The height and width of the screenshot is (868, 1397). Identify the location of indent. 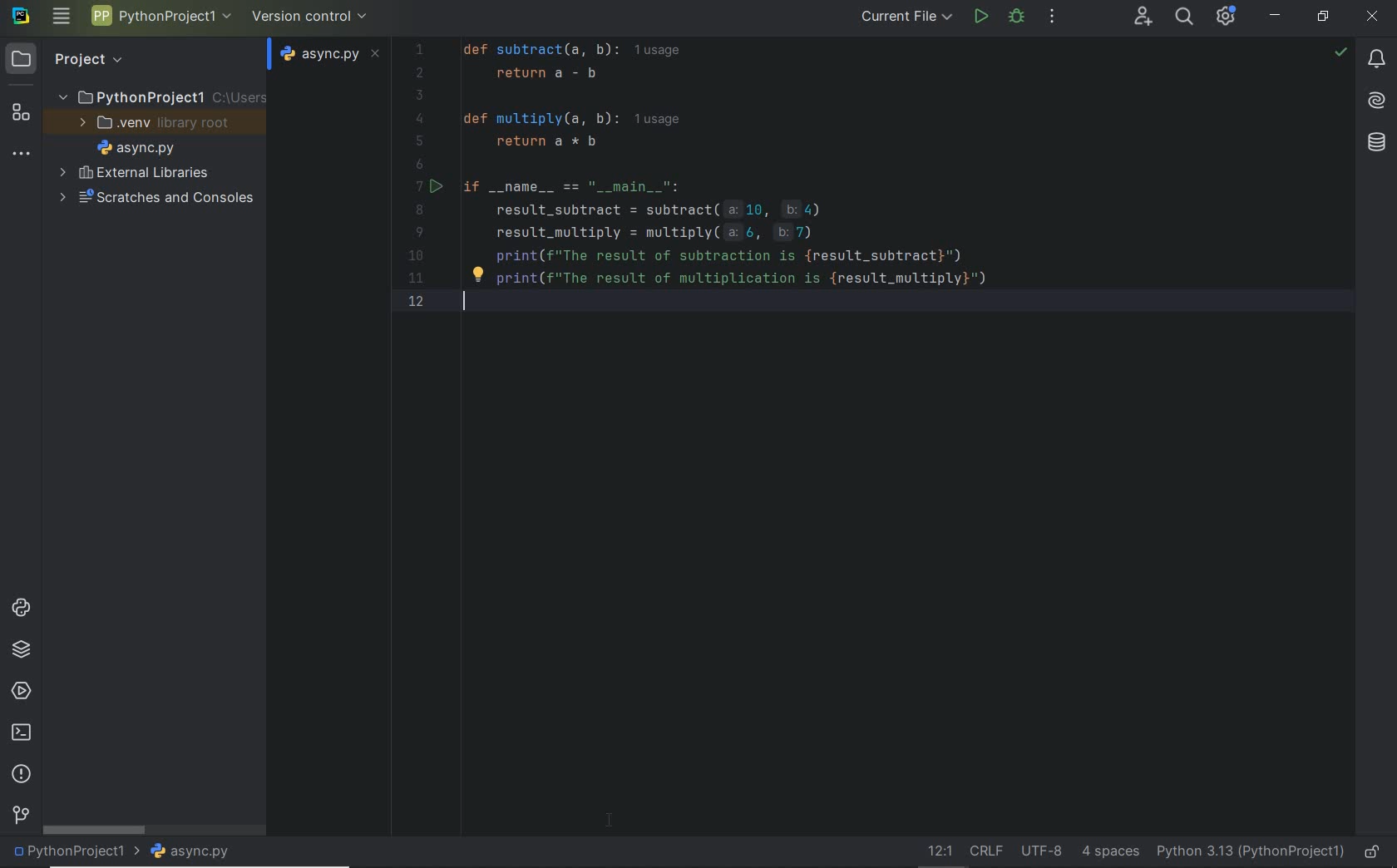
(1108, 852).